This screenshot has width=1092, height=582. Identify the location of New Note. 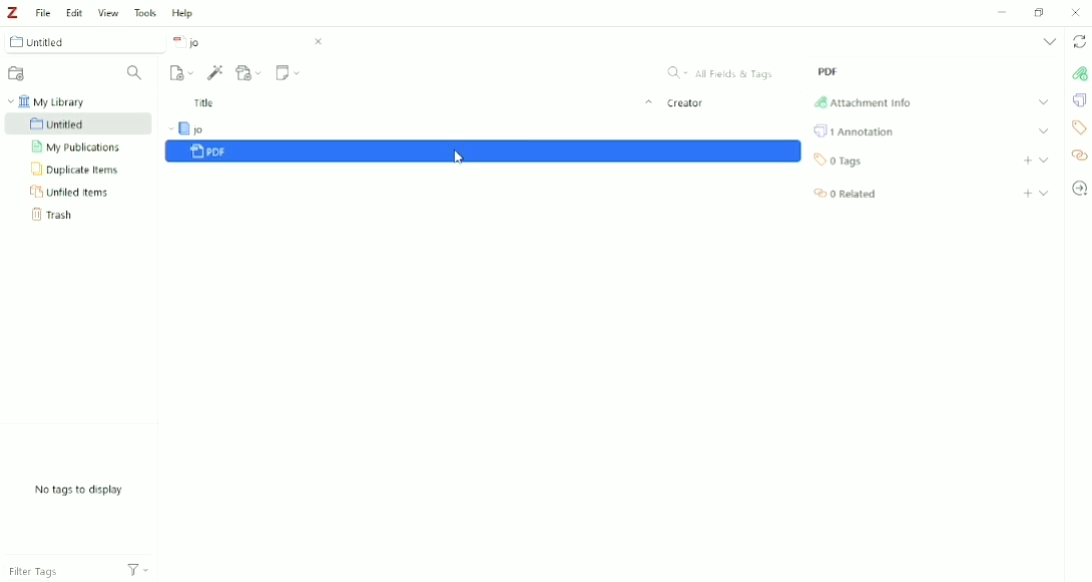
(287, 73).